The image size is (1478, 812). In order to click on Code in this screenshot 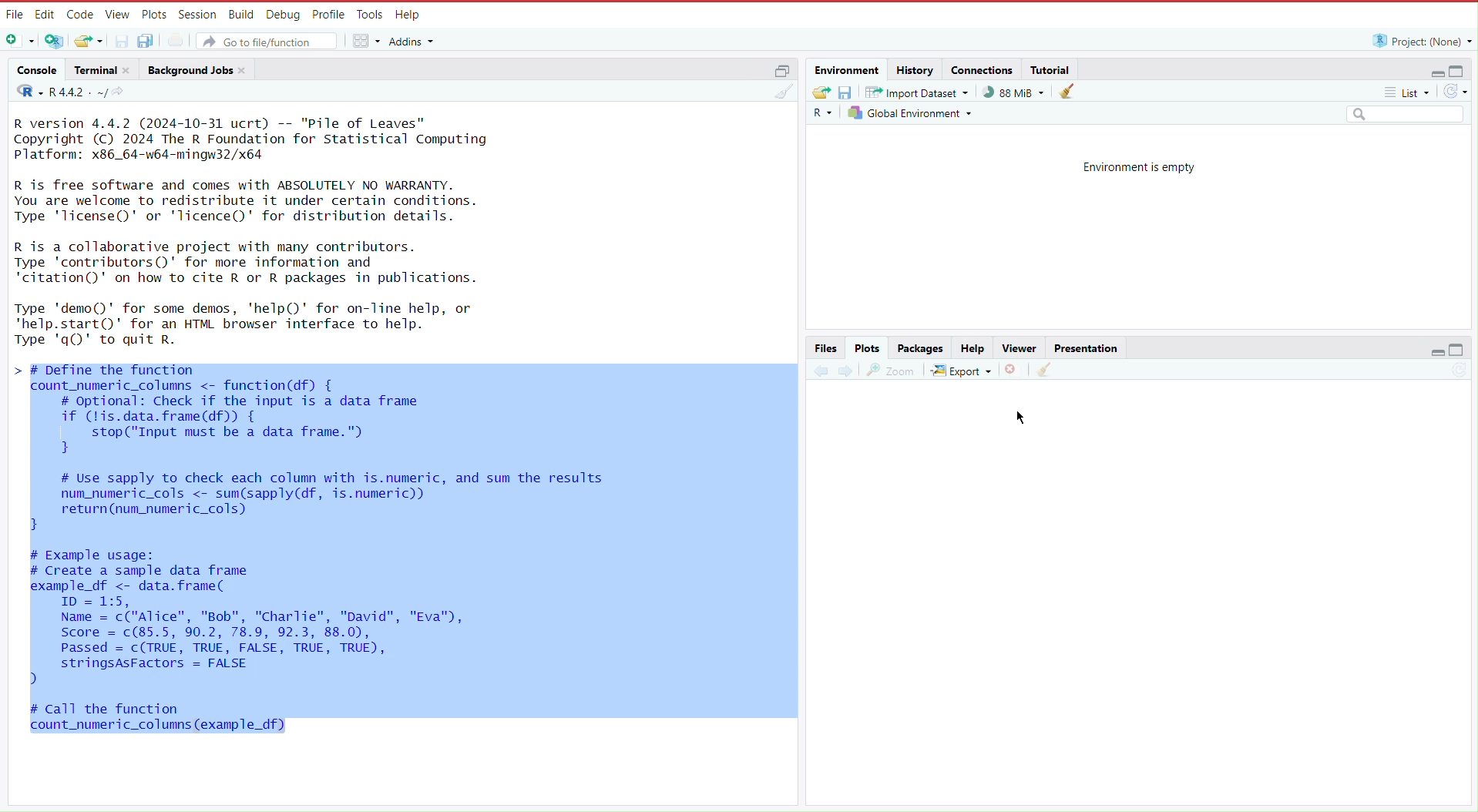, I will do `click(79, 15)`.